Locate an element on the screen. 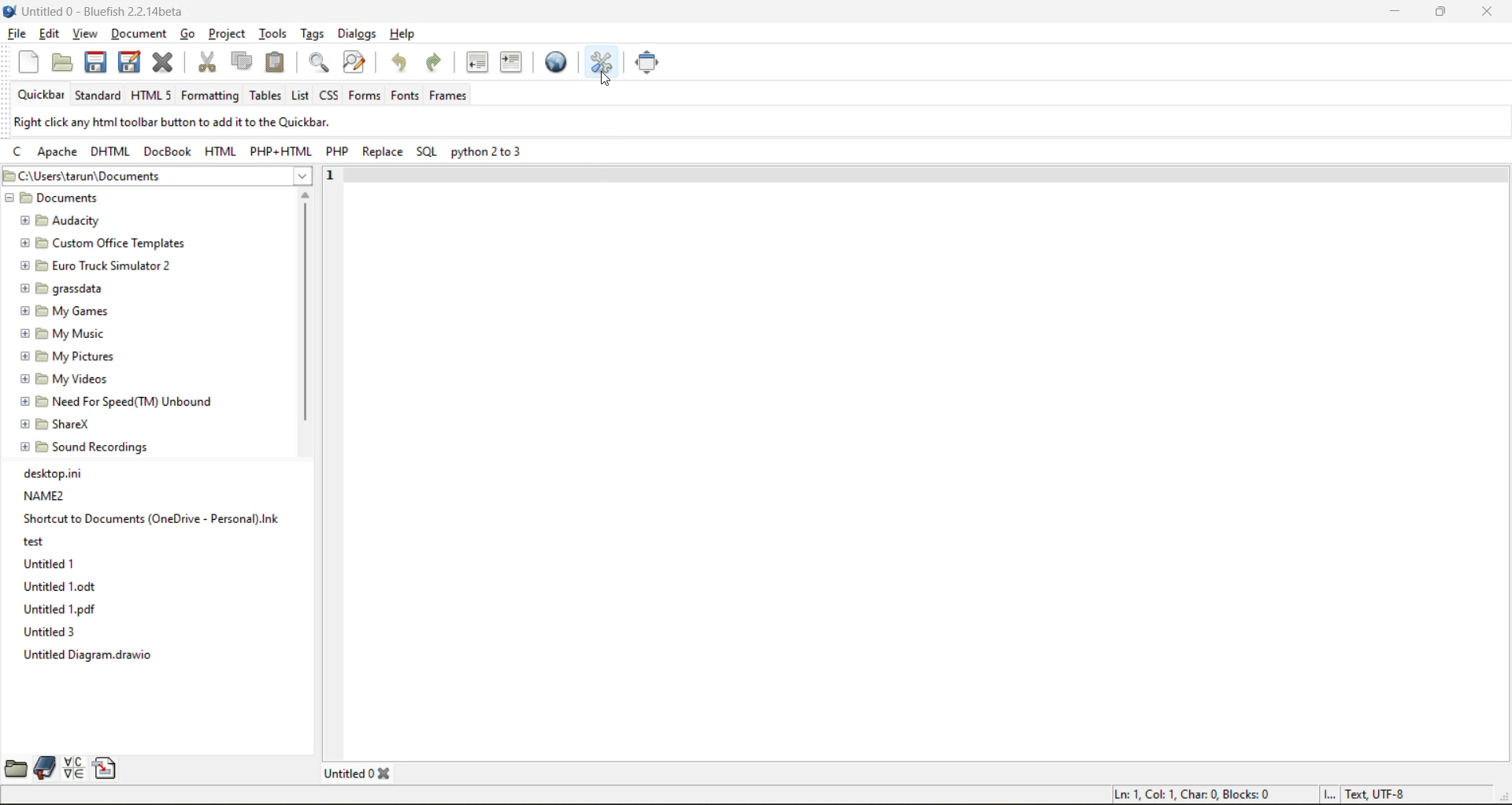  file name and app name is located at coordinates (105, 11).